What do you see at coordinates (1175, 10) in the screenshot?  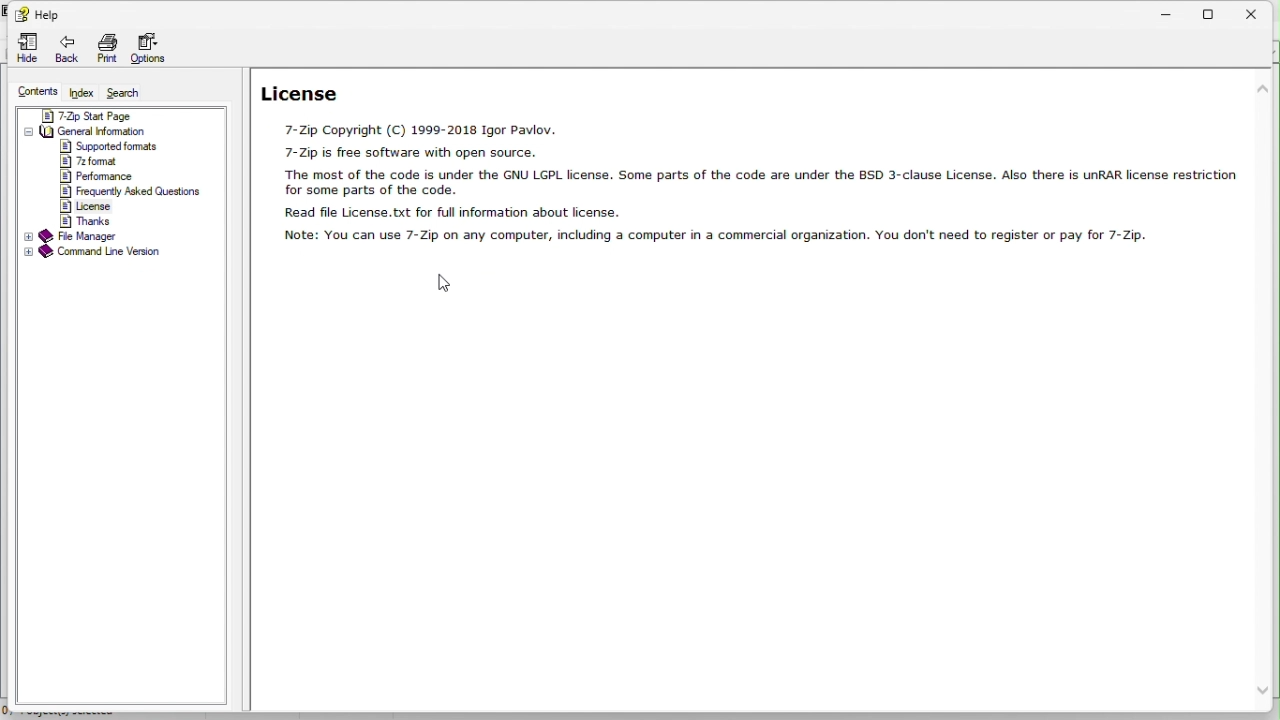 I see `Minimize` at bounding box center [1175, 10].